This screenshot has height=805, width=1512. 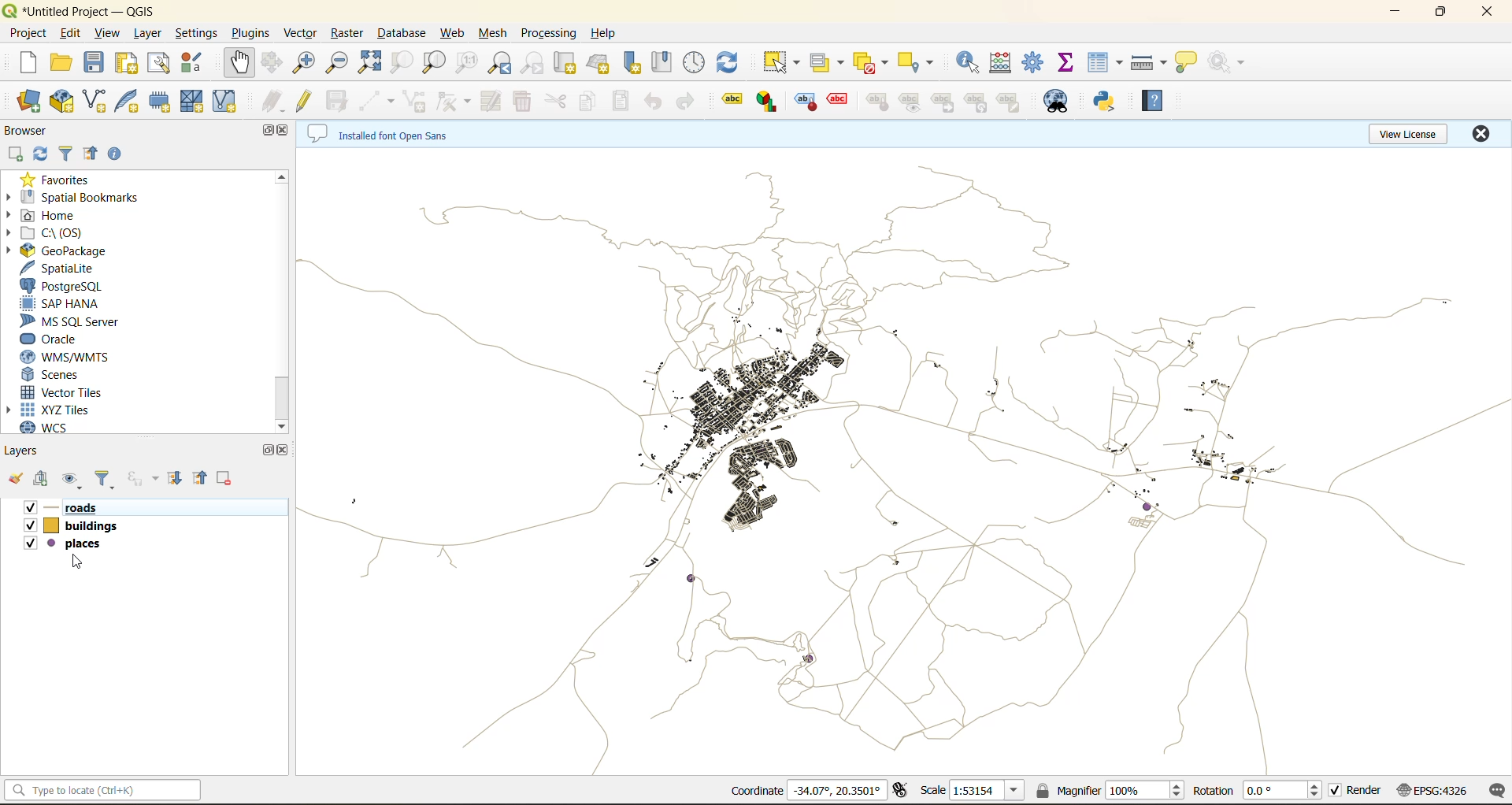 What do you see at coordinates (27, 451) in the screenshot?
I see `layers` at bounding box center [27, 451].